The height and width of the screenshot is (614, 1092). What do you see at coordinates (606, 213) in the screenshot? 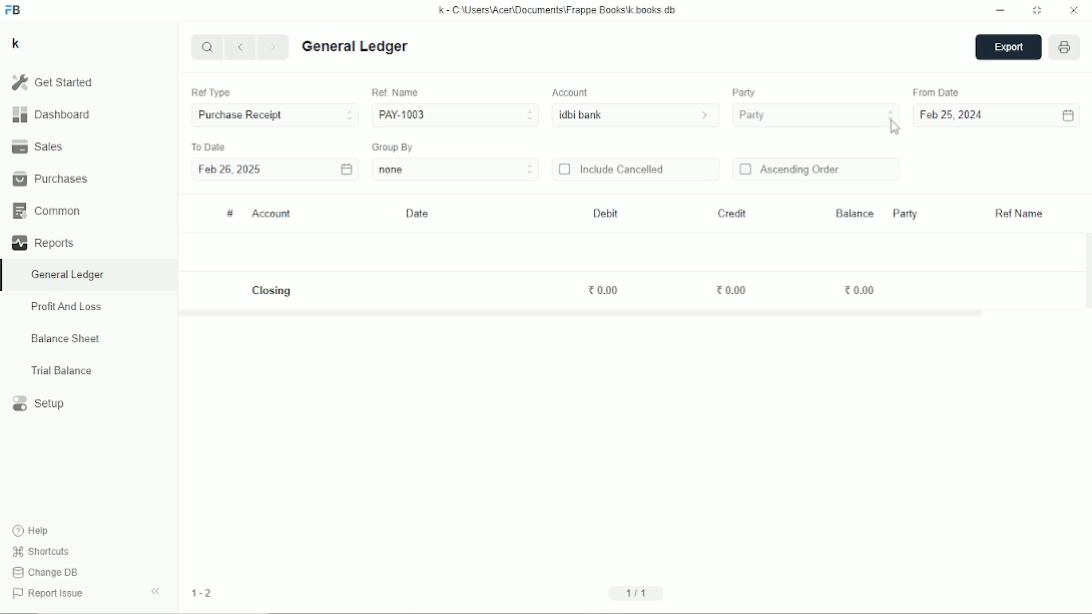
I see `Debit` at bounding box center [606, 213].